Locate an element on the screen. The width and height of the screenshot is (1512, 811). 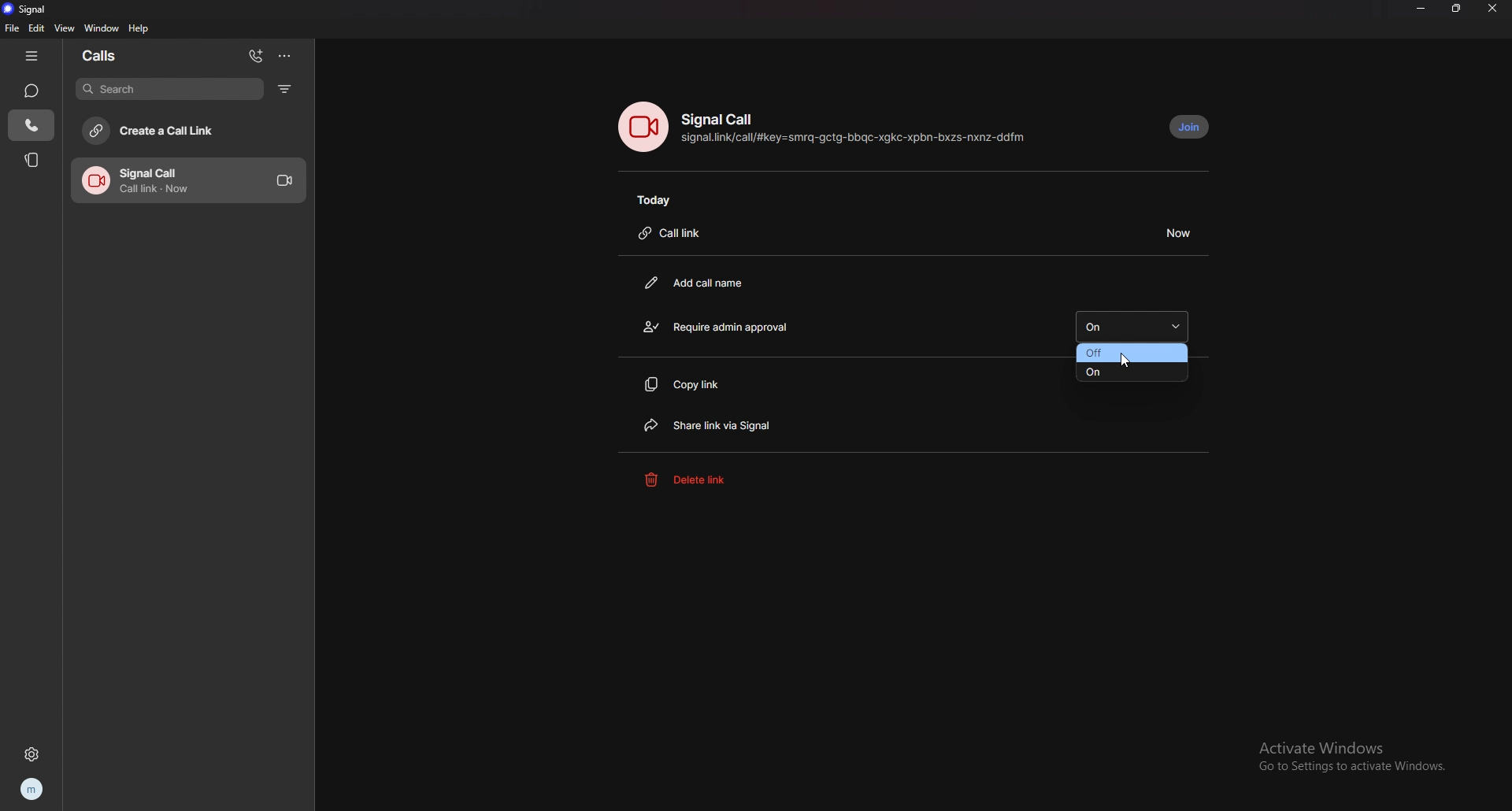
search is located at coordinates (171, 89).